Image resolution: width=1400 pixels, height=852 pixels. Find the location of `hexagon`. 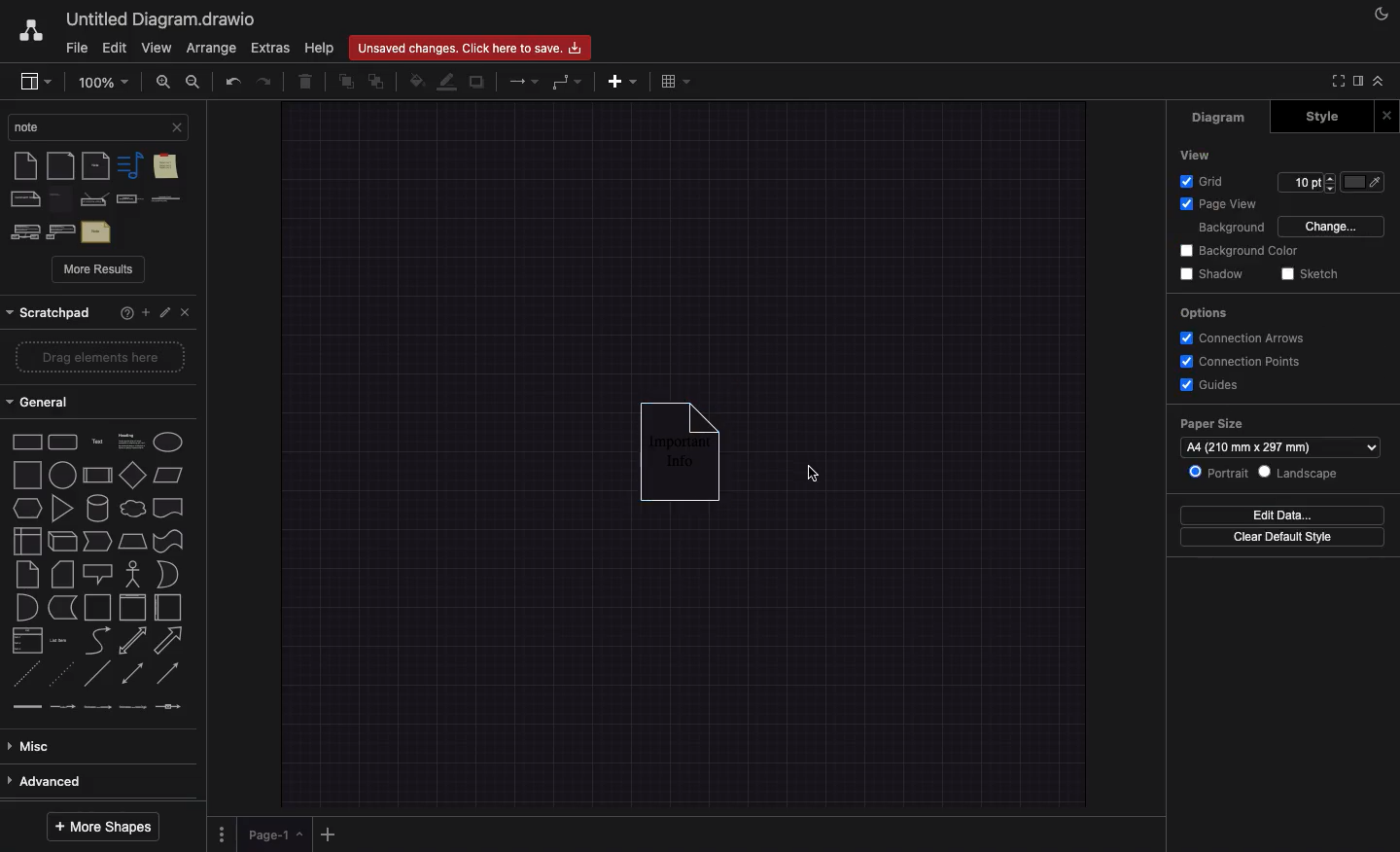

hexagon is located at coordinates (27, 509).